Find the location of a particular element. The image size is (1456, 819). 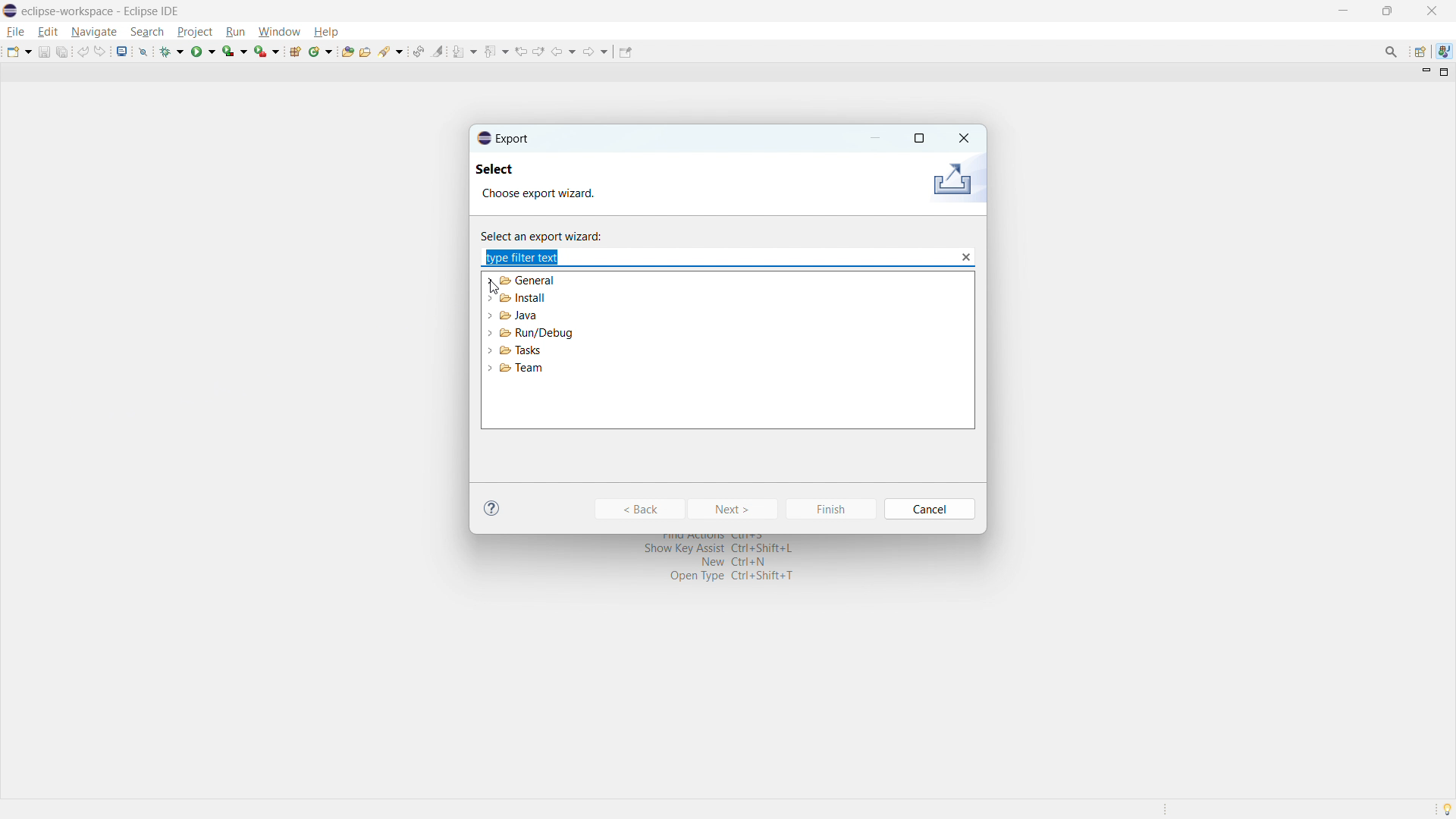

cancel is located at coordinates (931, 509).